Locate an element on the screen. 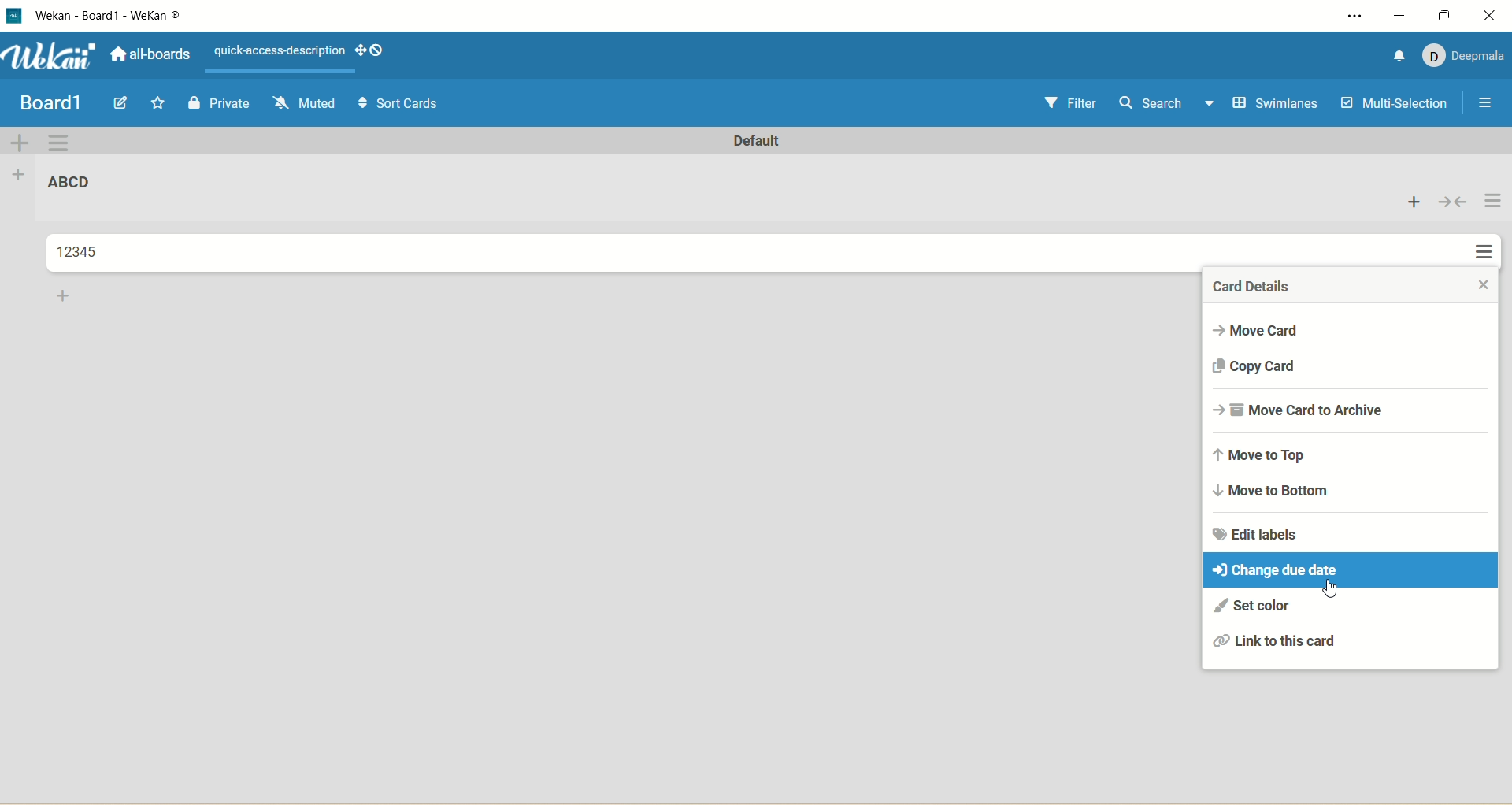 This screenshot has height=805, width=1512. move card to archive is located at coordinates (1302, 409).